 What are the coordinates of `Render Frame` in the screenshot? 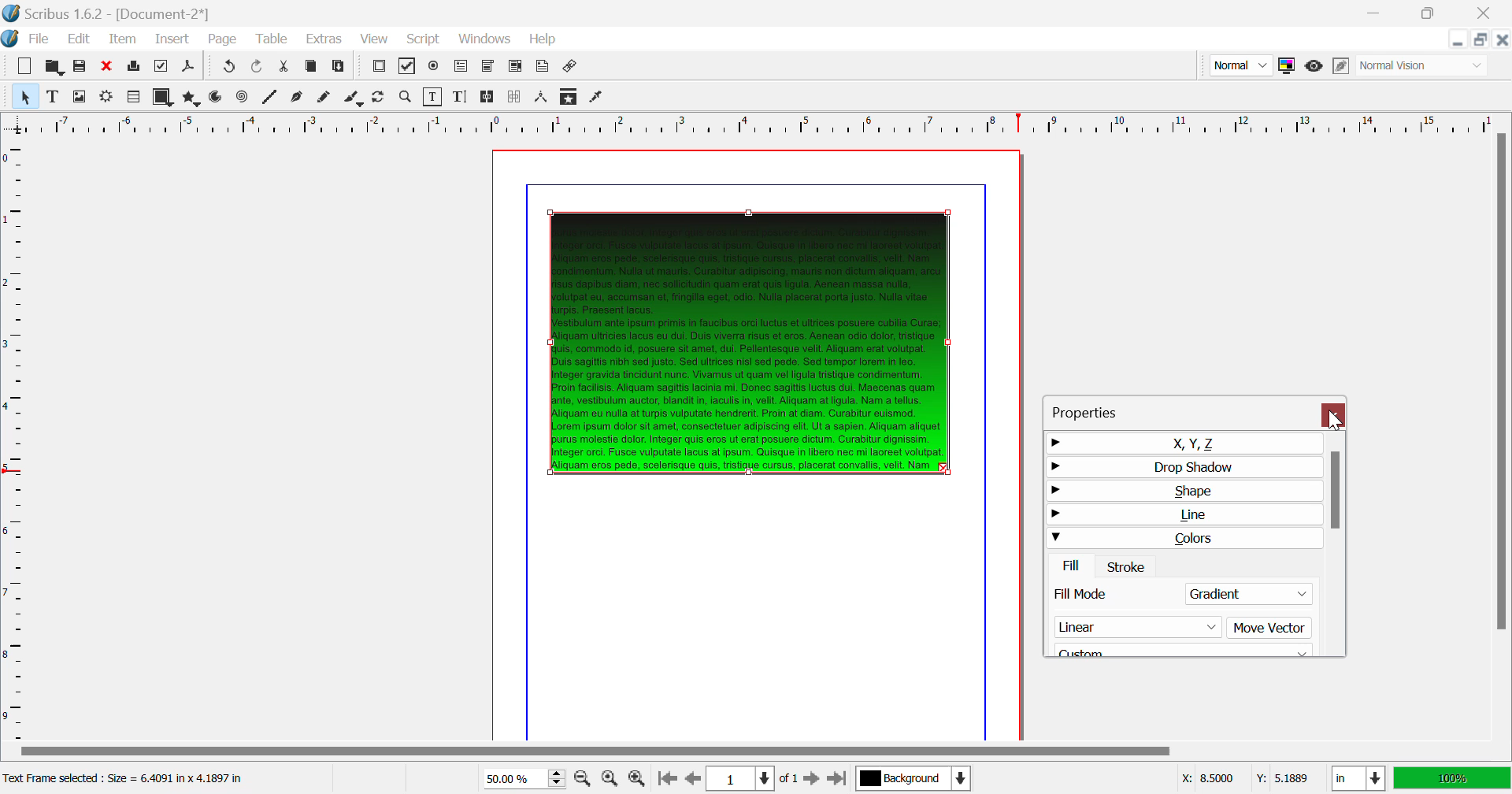 It's located at (106, 98).